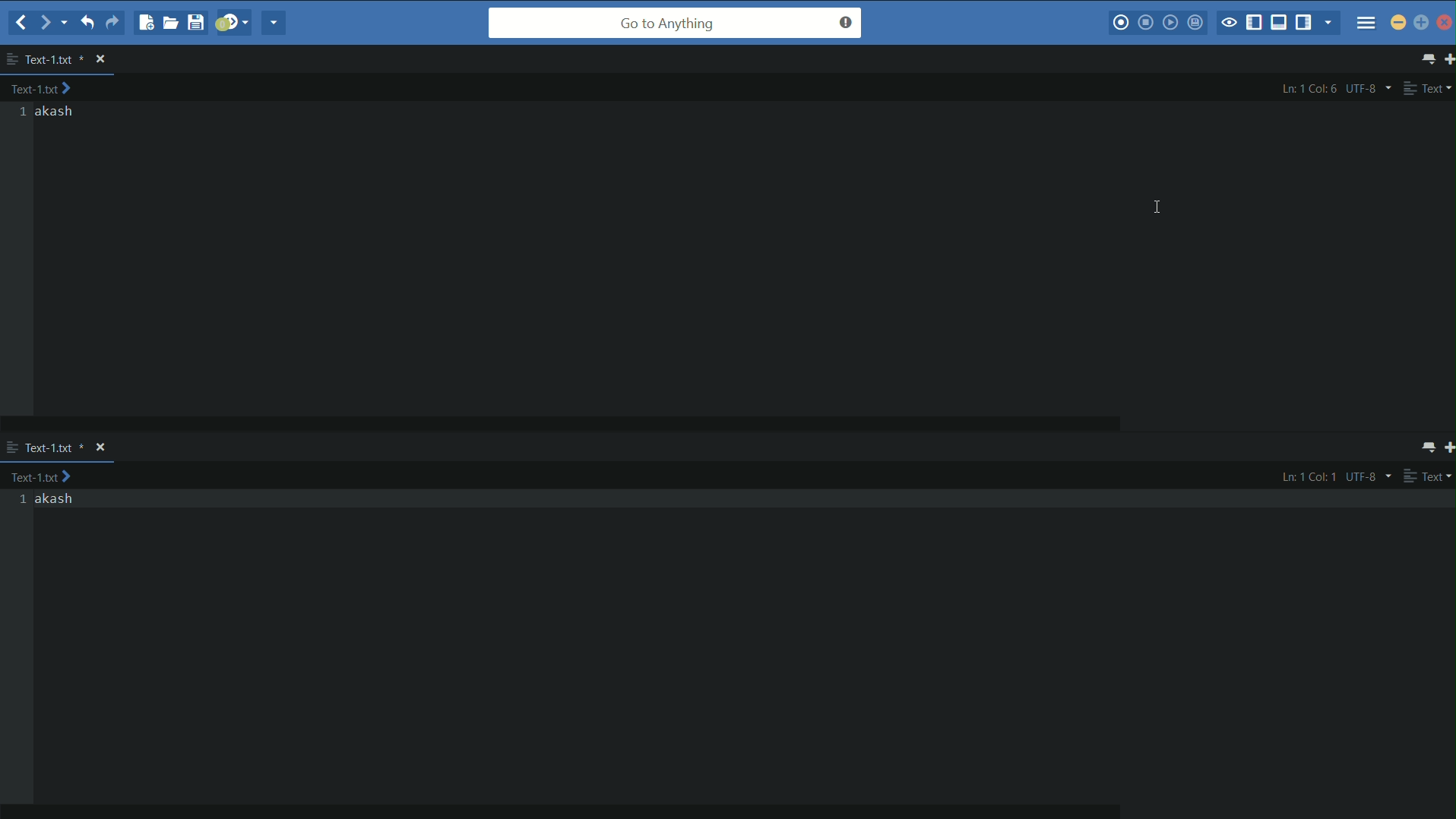 The height and width of the screenshot is (819, 1456). What do you see at coordinates (233, 21) in the screenshot?
I see `jump to next syntax checking result` at bounding box center [233, 21].